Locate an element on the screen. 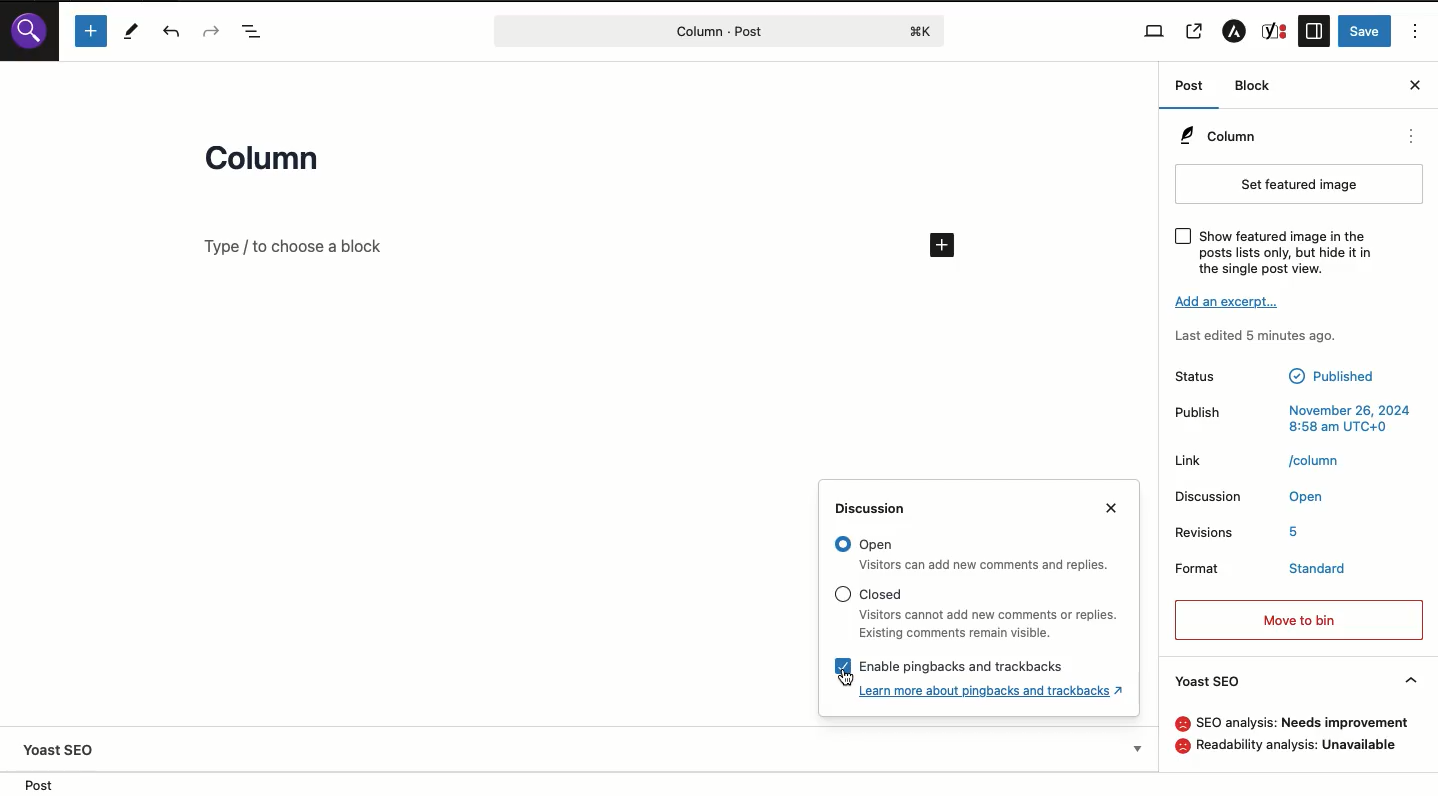  View is located at coordinates (1156, 31).